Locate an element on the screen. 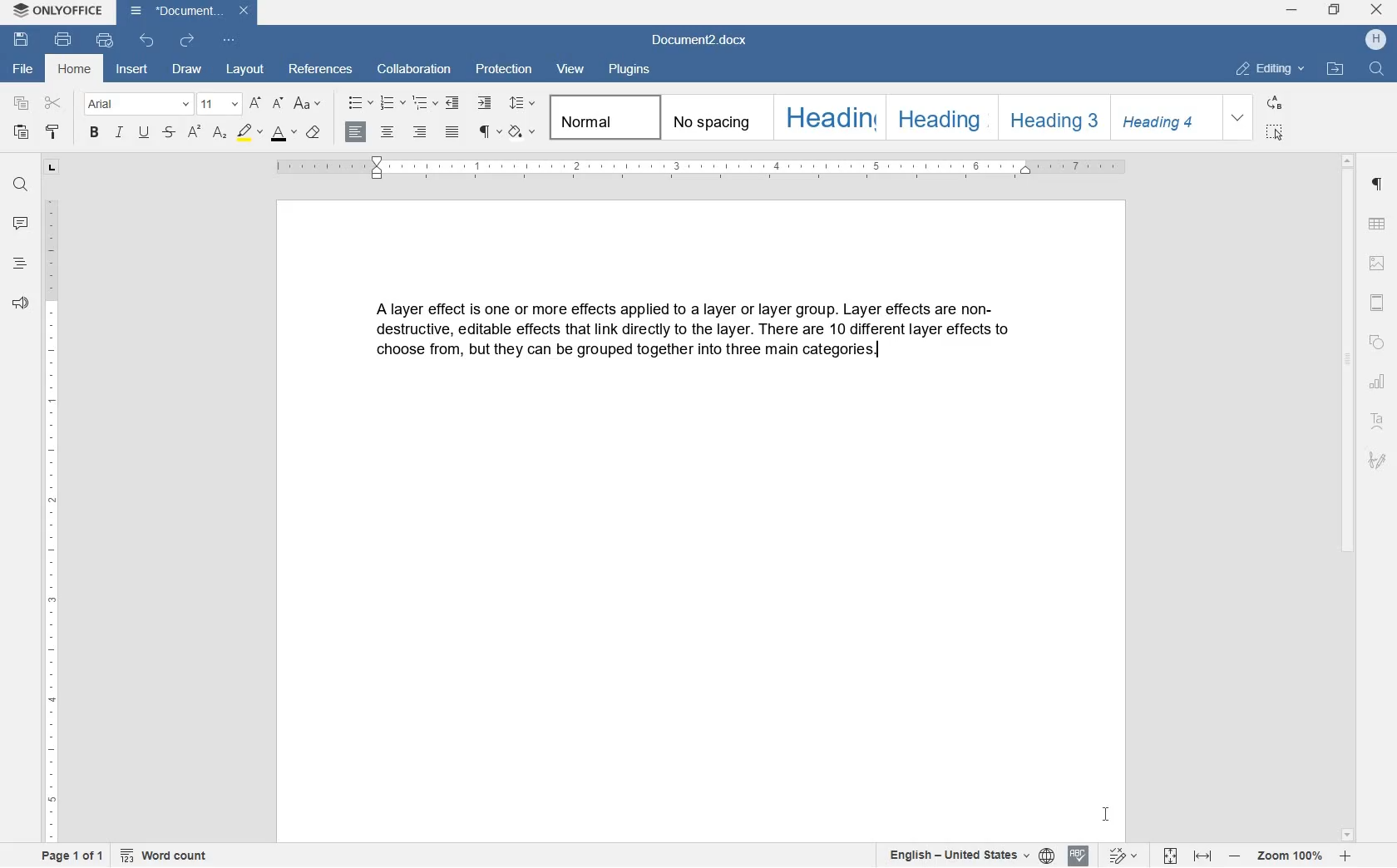 The width and height of the screenshot is (1397, 868). SUBSCRIPT is located at coordinates (220, 133).